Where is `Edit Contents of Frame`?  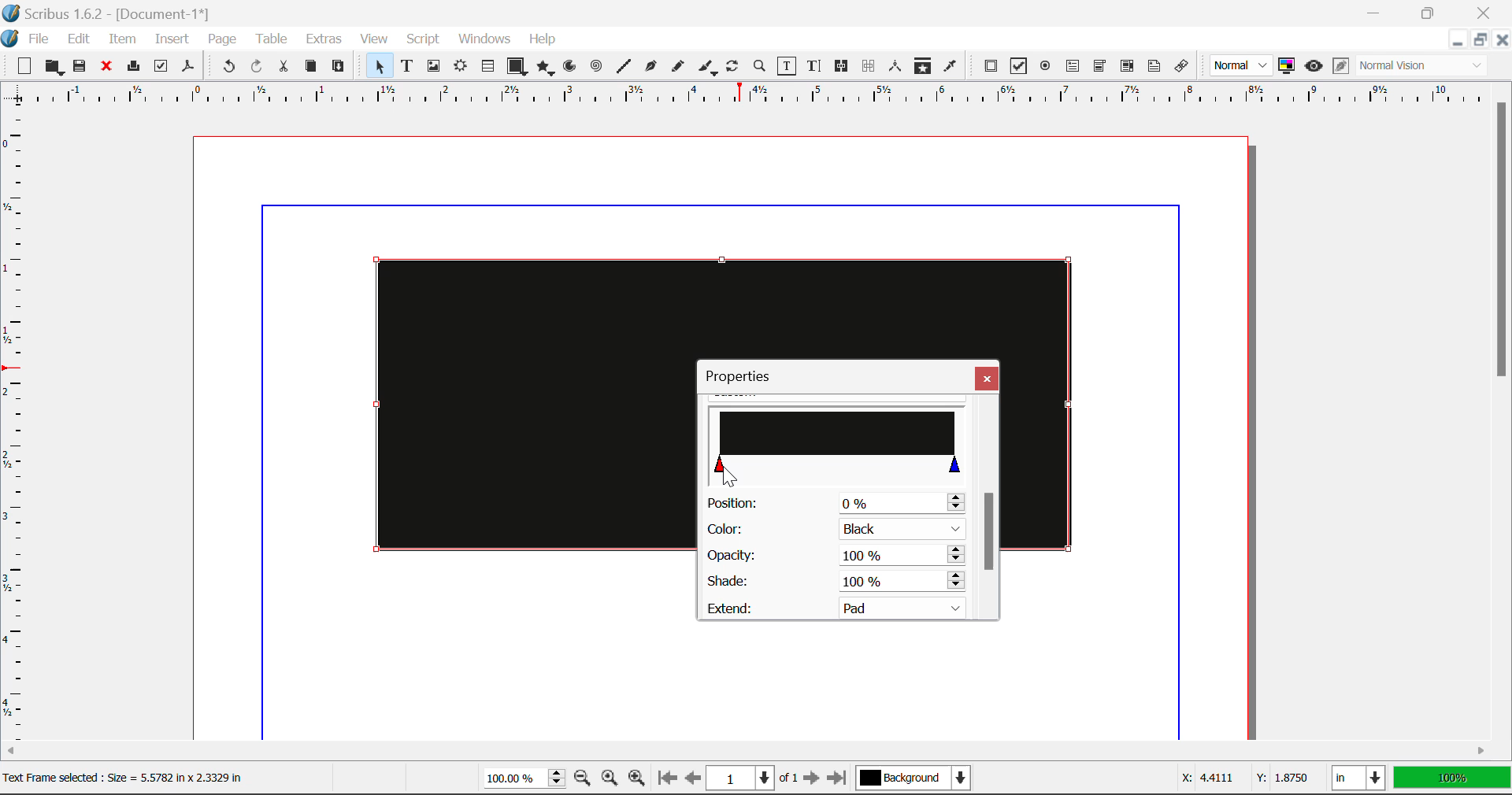
Edit Contents of Frame is located at coordinates (787, 68).